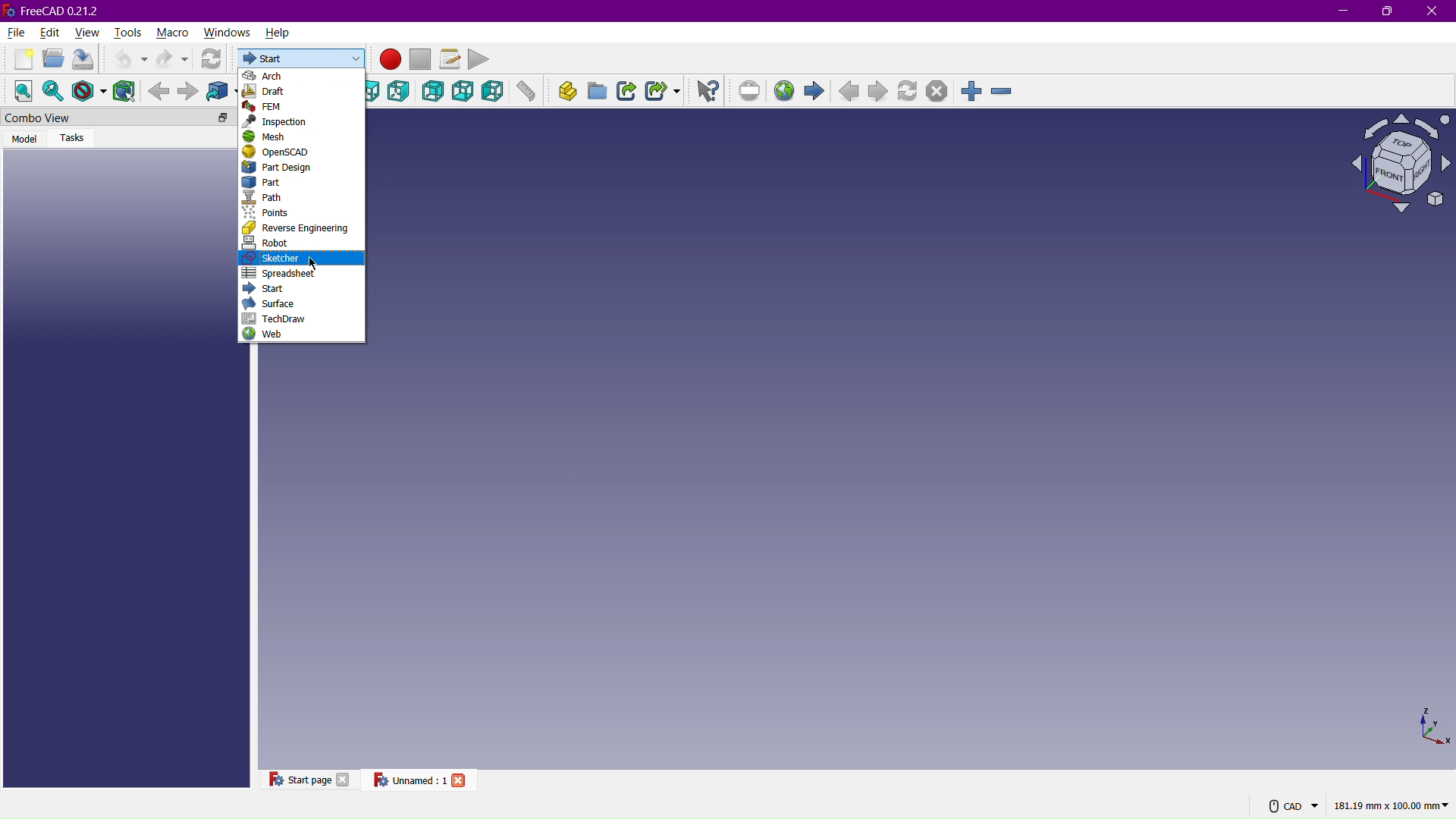  What do you see at coordinates (453, 60) in the screenshot?
I see `Macros` at bounding box center [453, 60].